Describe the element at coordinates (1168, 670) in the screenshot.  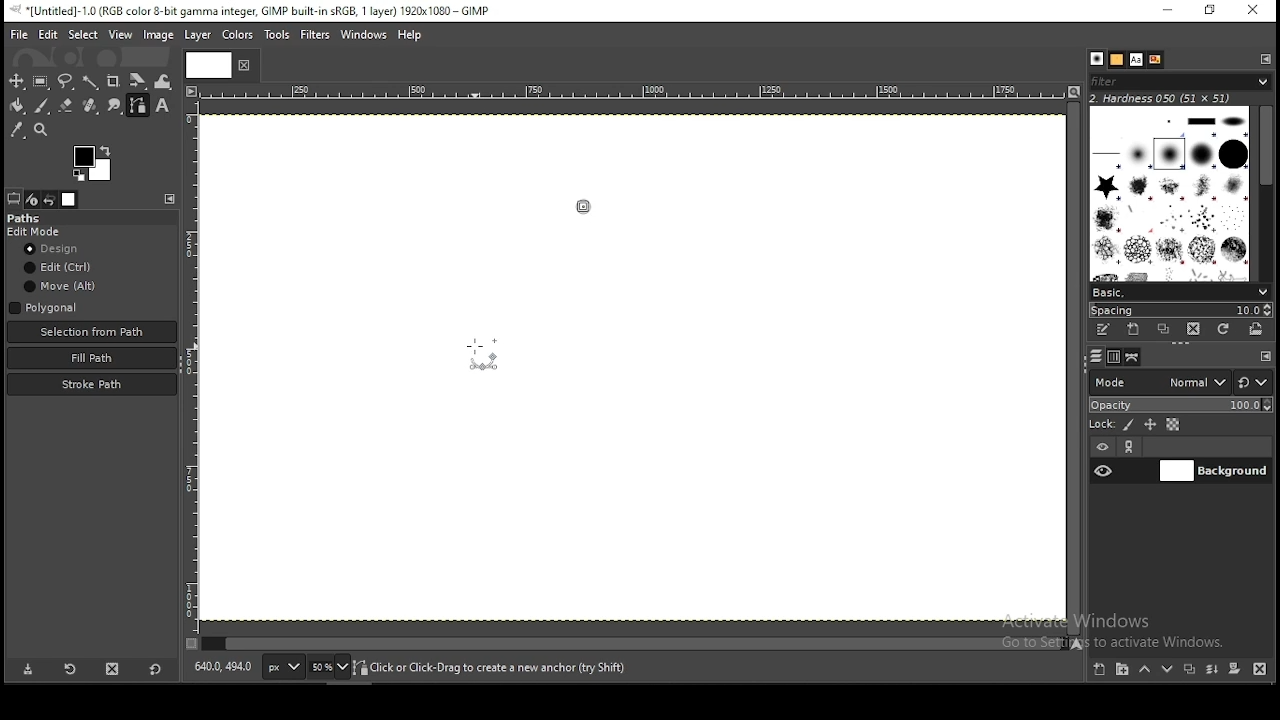
I see `move layer one step down` at that location.